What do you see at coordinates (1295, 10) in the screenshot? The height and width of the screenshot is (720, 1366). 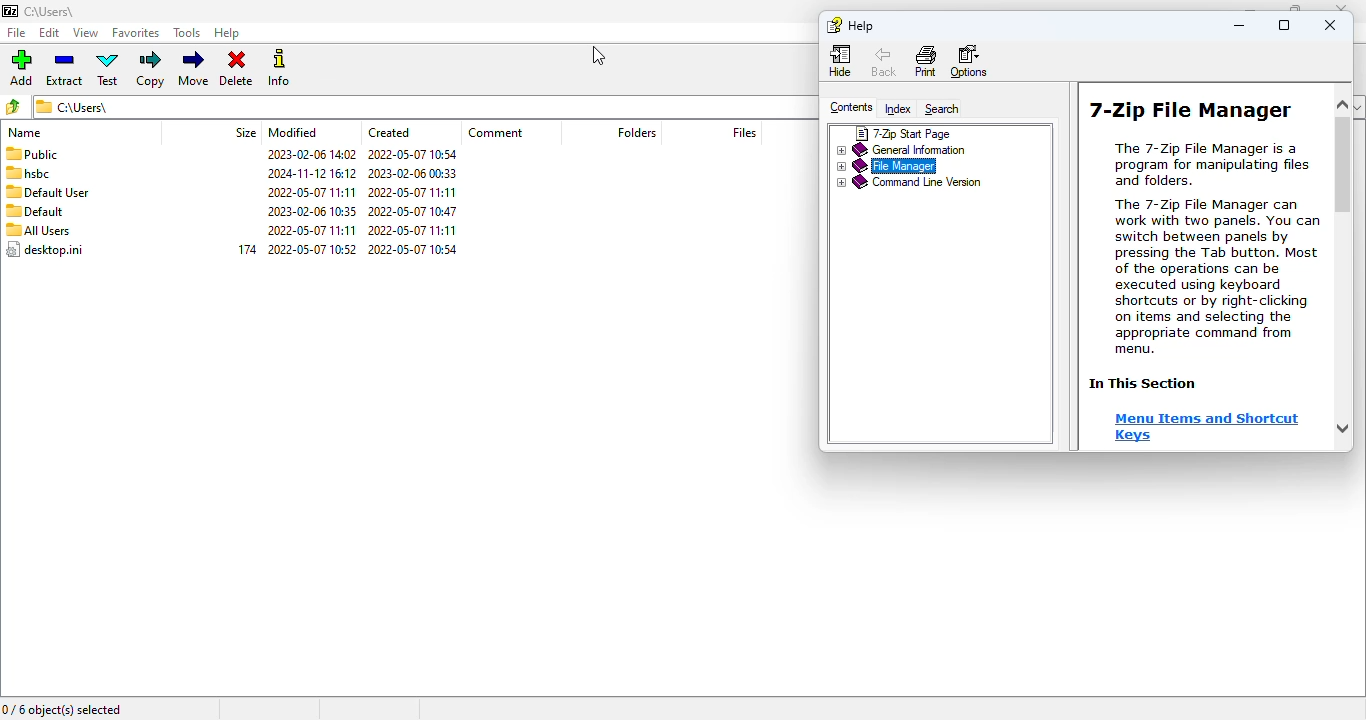 I see `maximize` at bounding box center [1295, 10].